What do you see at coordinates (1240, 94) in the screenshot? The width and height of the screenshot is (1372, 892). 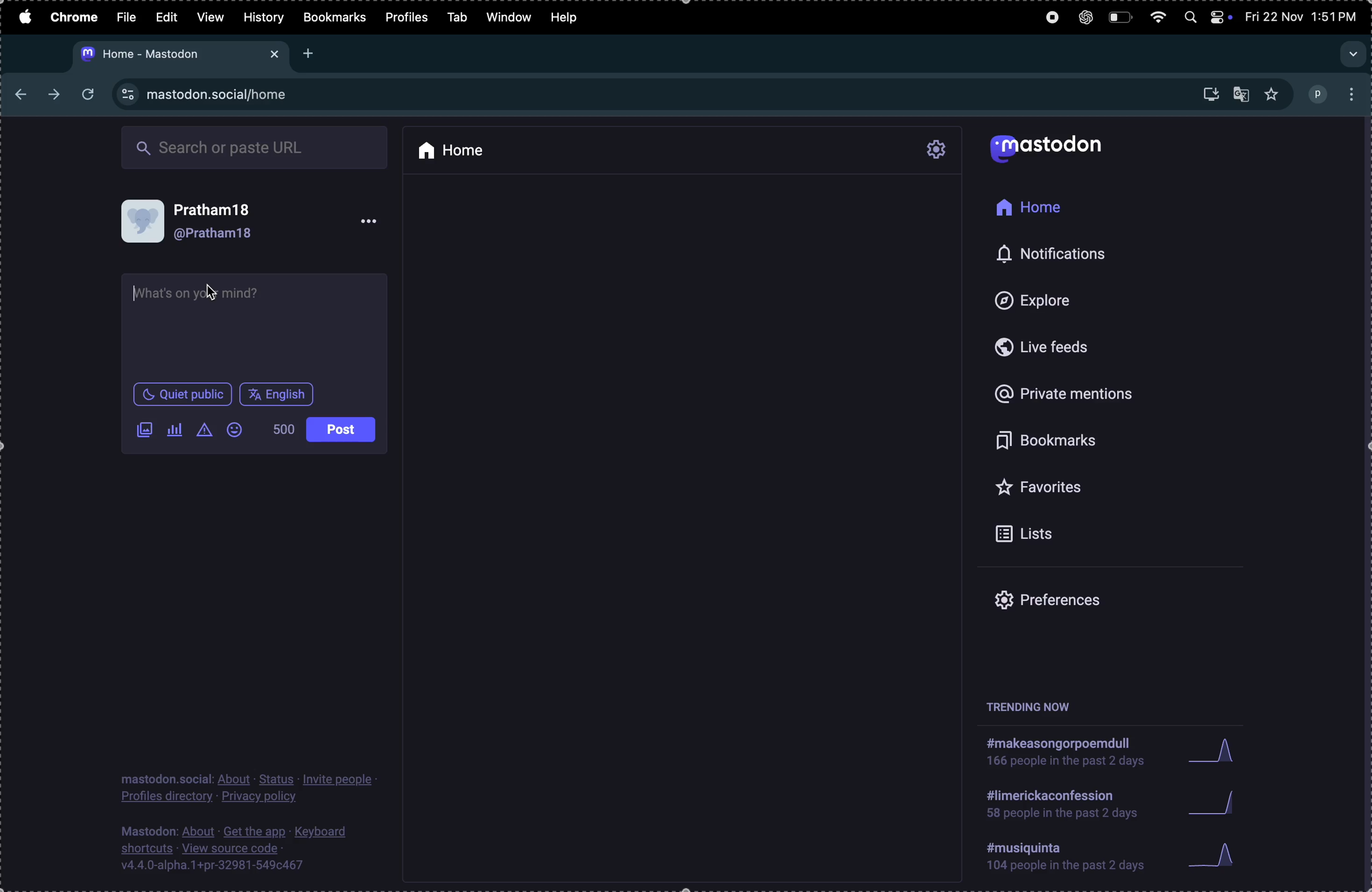 I see `translate` at bounding box center [1240, 94].